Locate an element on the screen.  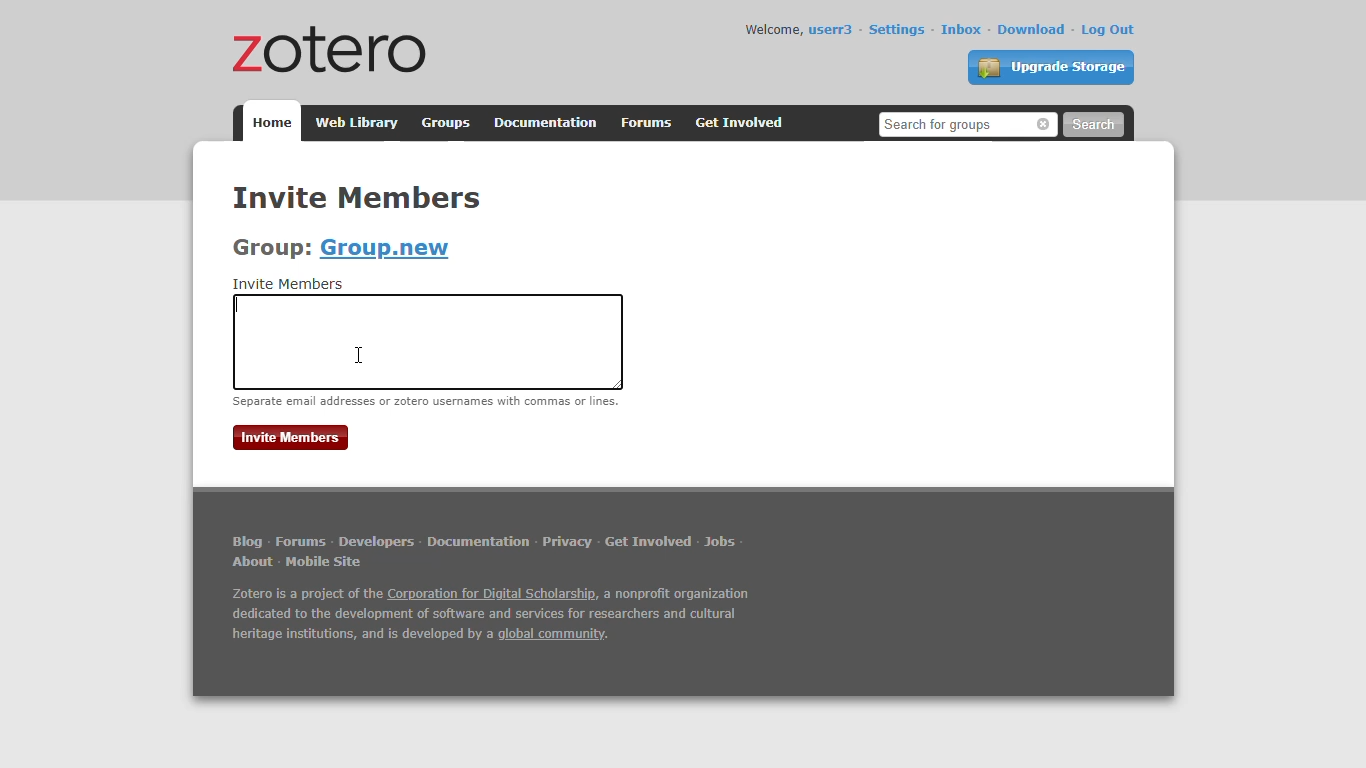
blog is located at coordinates (247, 542).